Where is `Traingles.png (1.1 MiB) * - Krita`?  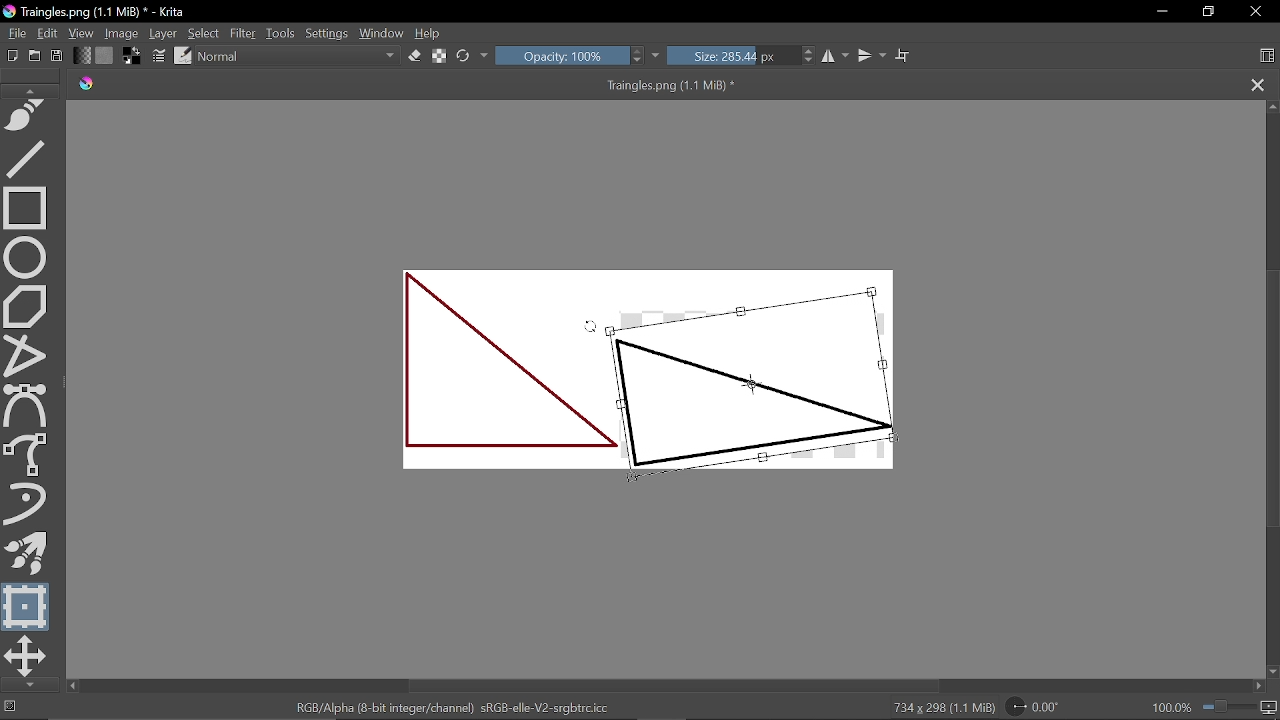
Traingles.png (1.1 MiB) * - Krita is located at coordinates (98, 13).